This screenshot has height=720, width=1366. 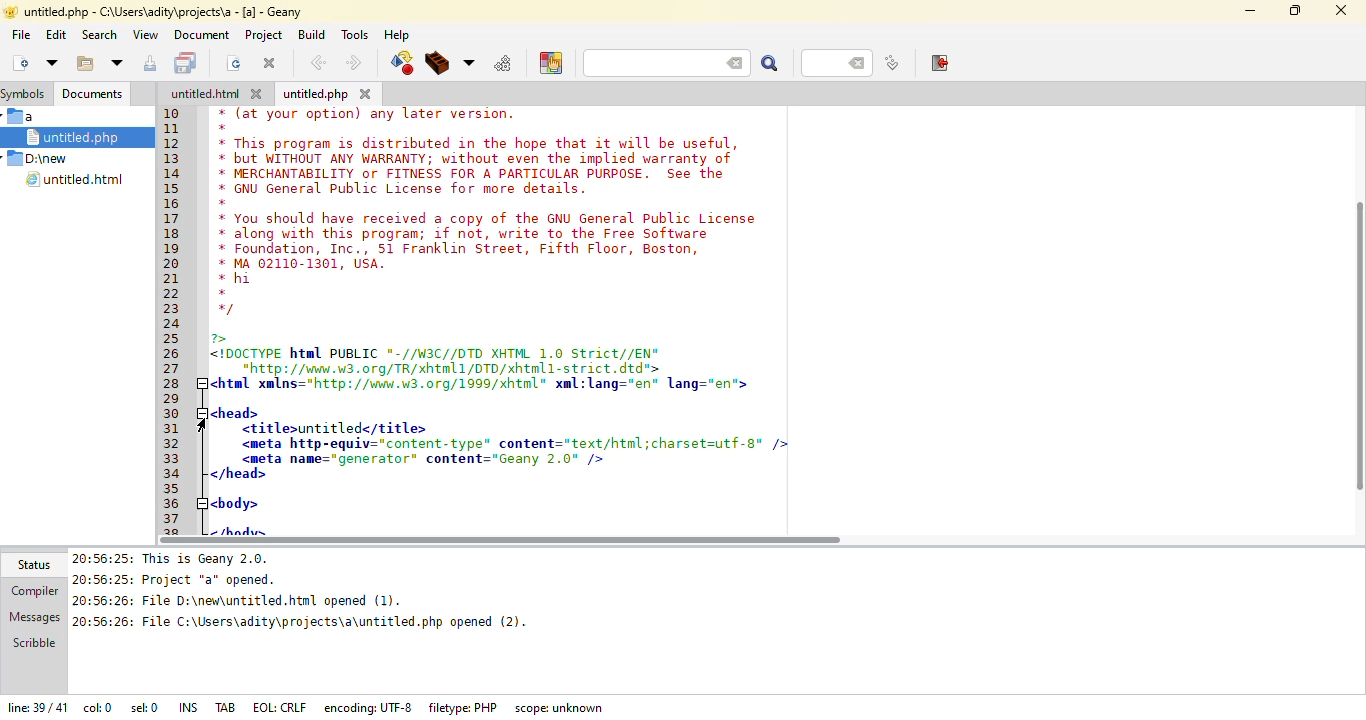 What do you see at coordinates (52, 61) in the screenshot?
I see `open file` at bounding box center [52, 61].